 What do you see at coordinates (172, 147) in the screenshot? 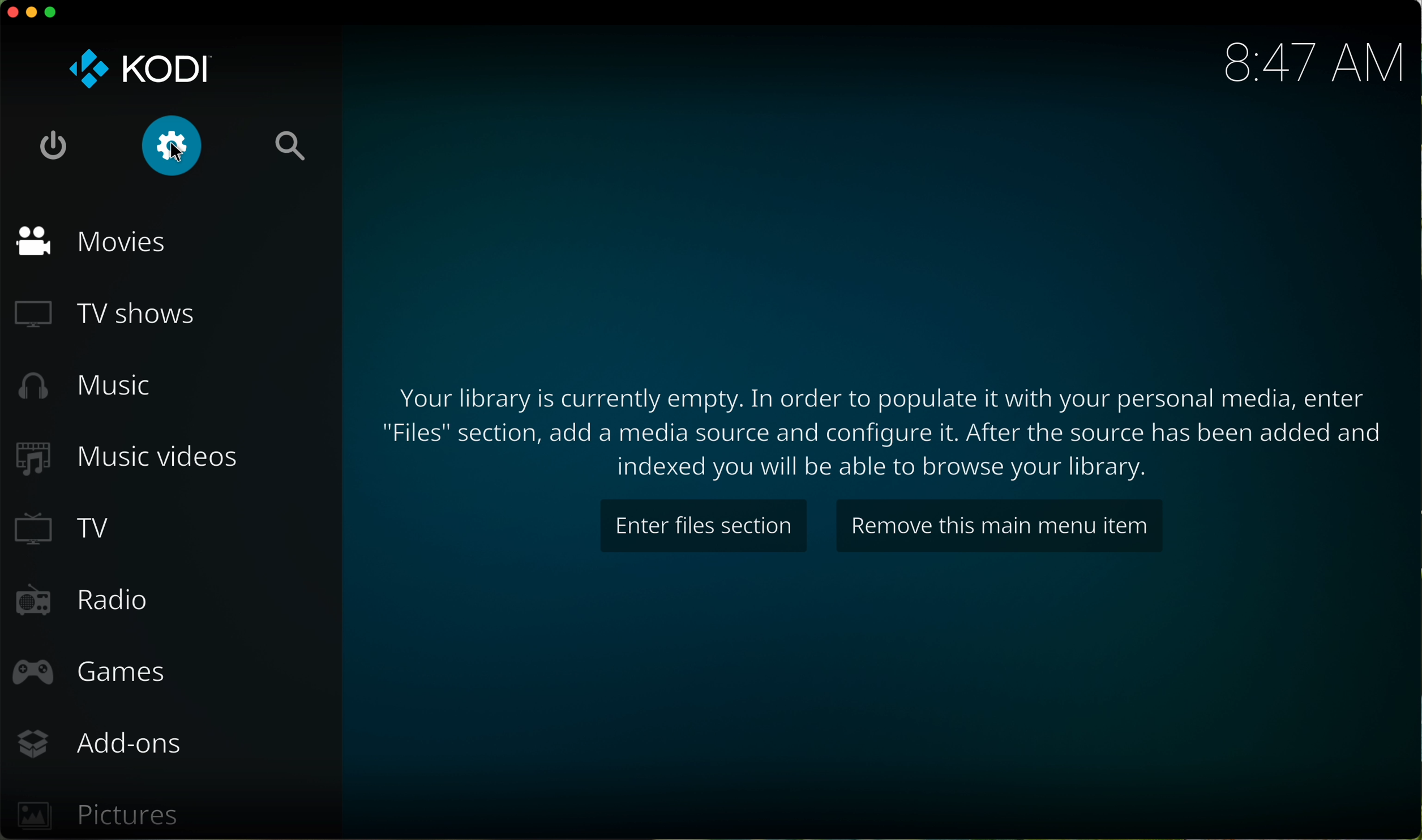
I see `click on settings` at bounding box center [172, 147].